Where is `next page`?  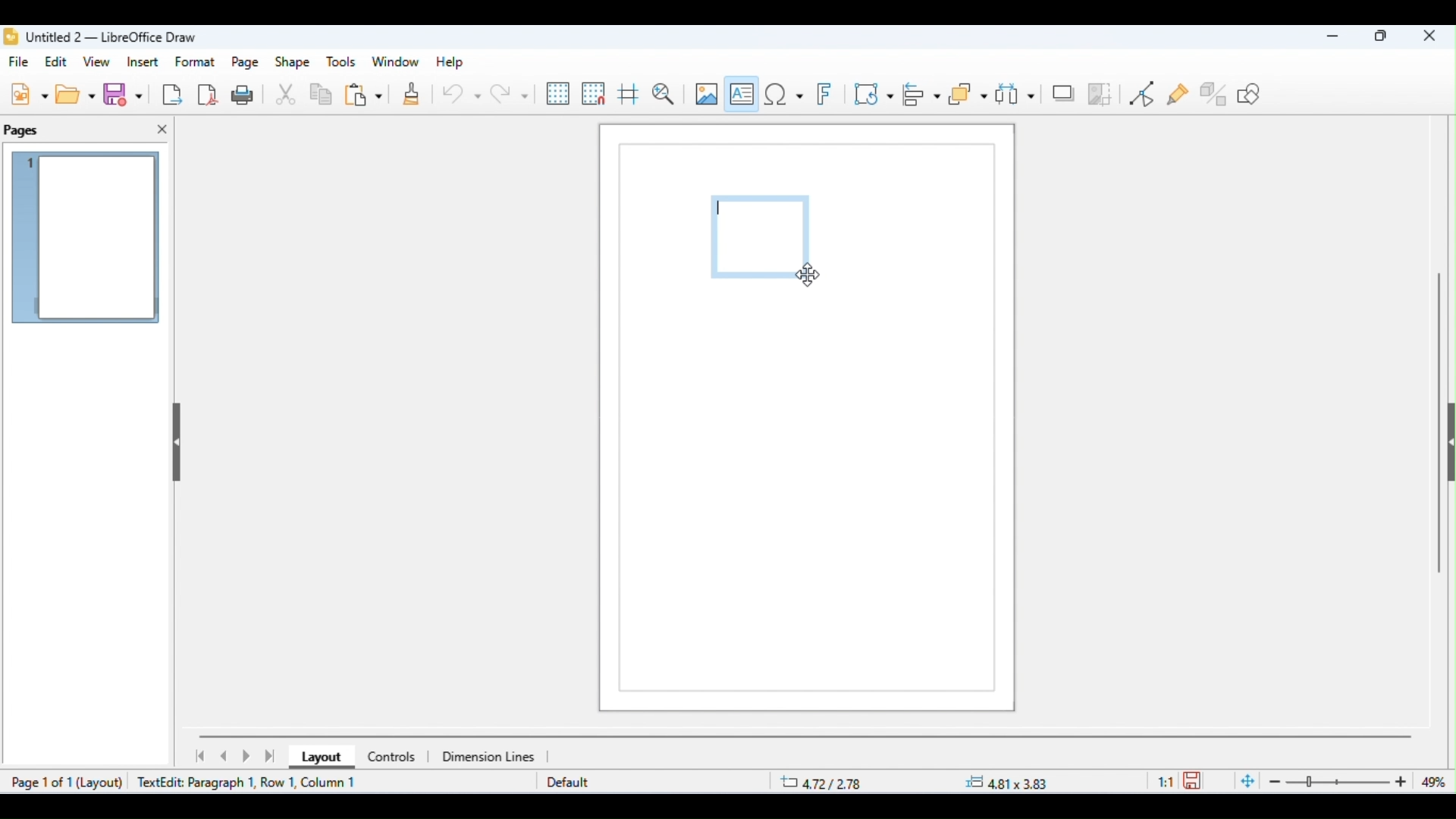 next page is located at coordinates (249, 757).